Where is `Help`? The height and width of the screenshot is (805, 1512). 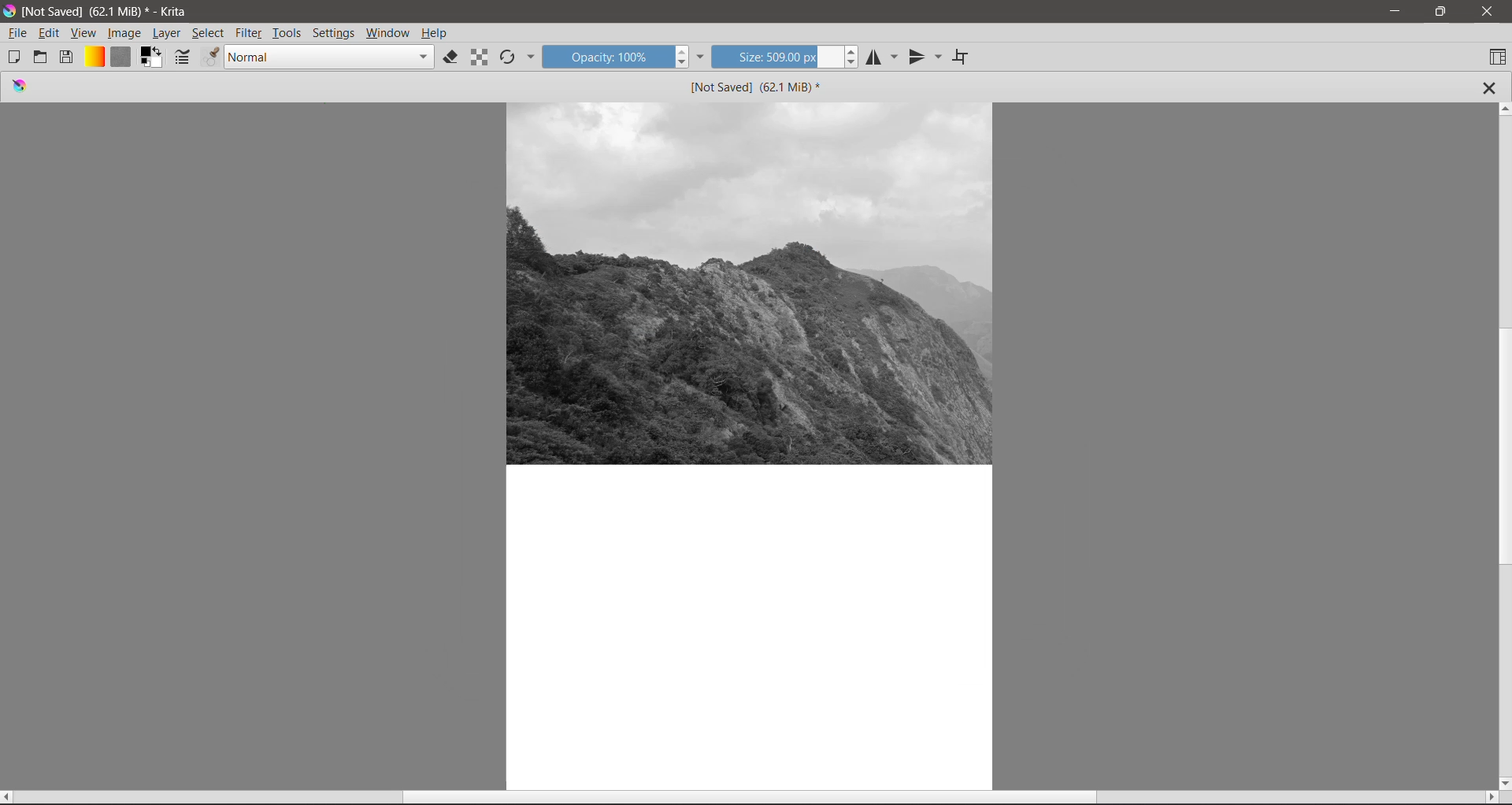 Help is located at coordinates (434, 33).